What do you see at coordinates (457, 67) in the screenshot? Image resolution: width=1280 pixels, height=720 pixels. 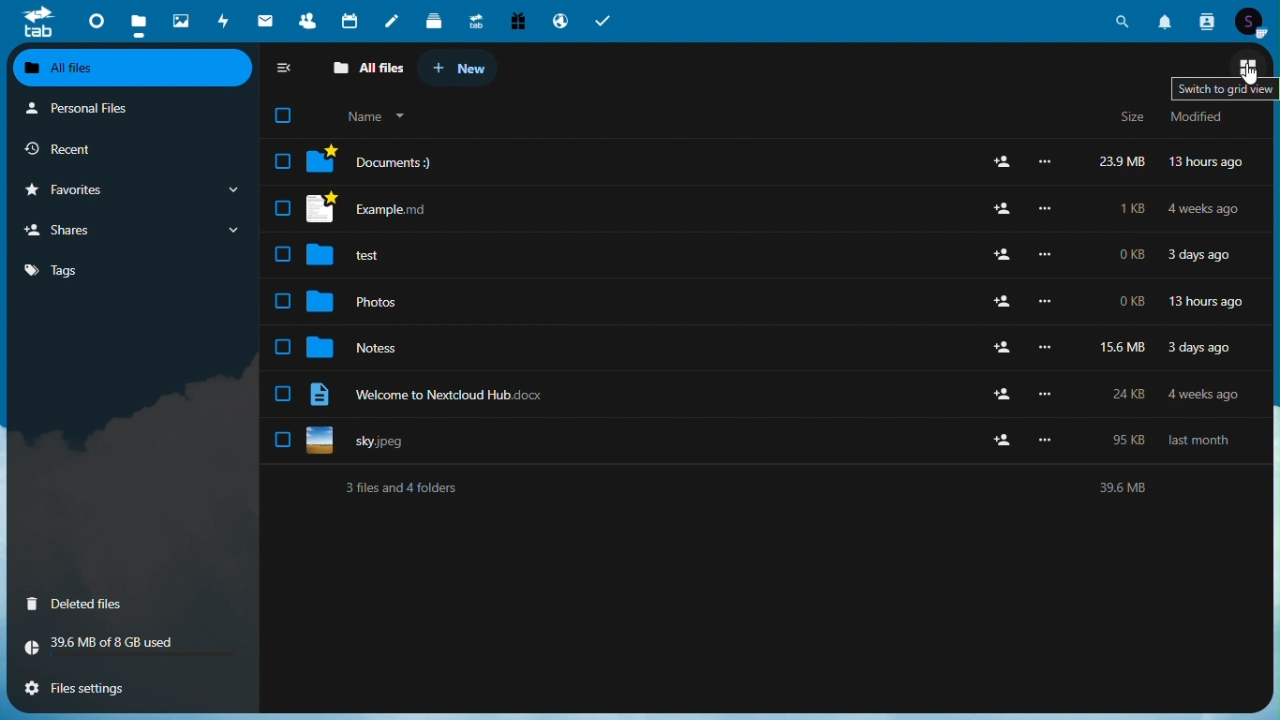 I see `new` at bounding box center [457, 67].